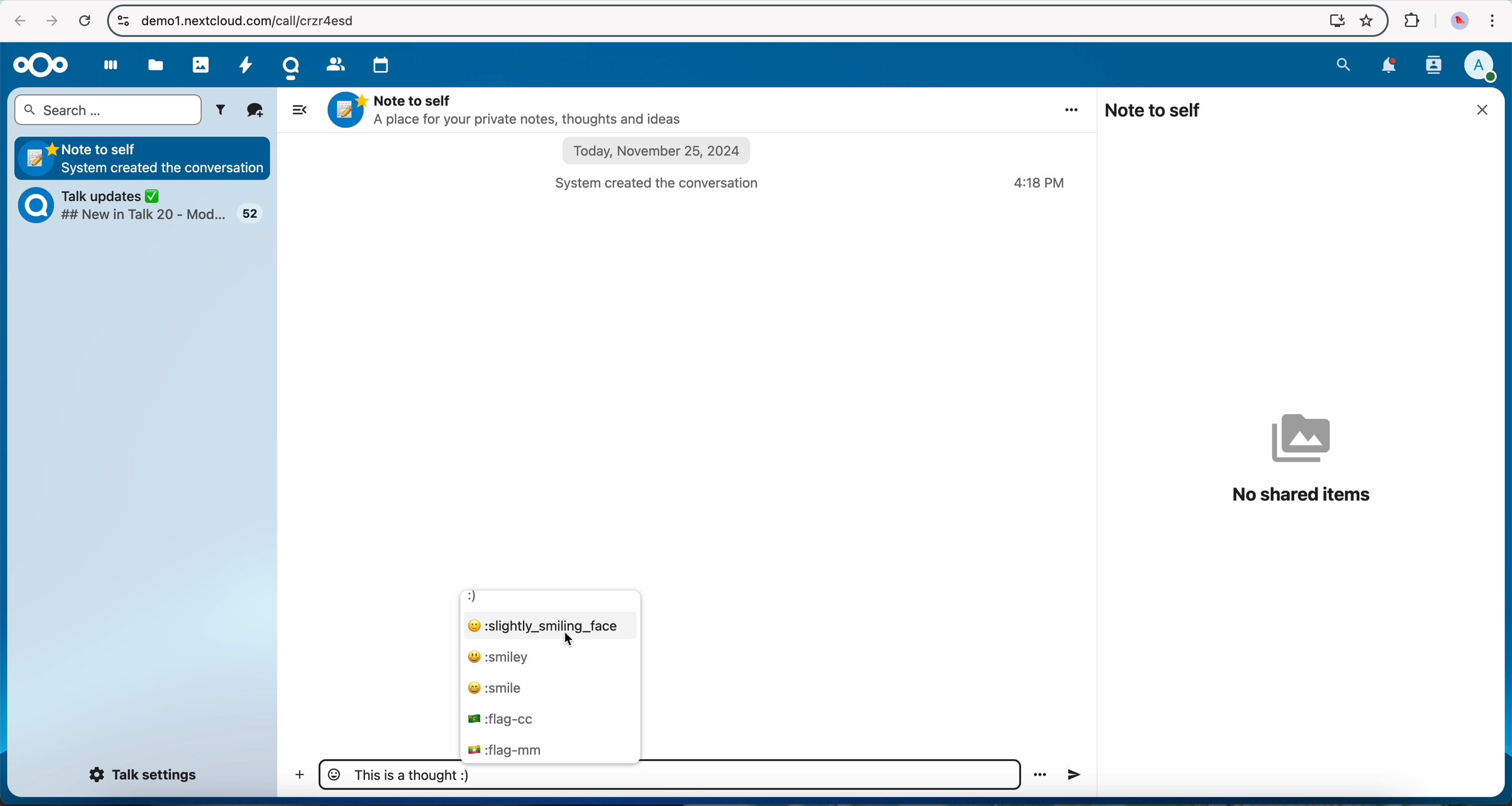 Image resolution: width=1512 pixels, height=806 pixels. I want to click on emojis, so click(333, 774).